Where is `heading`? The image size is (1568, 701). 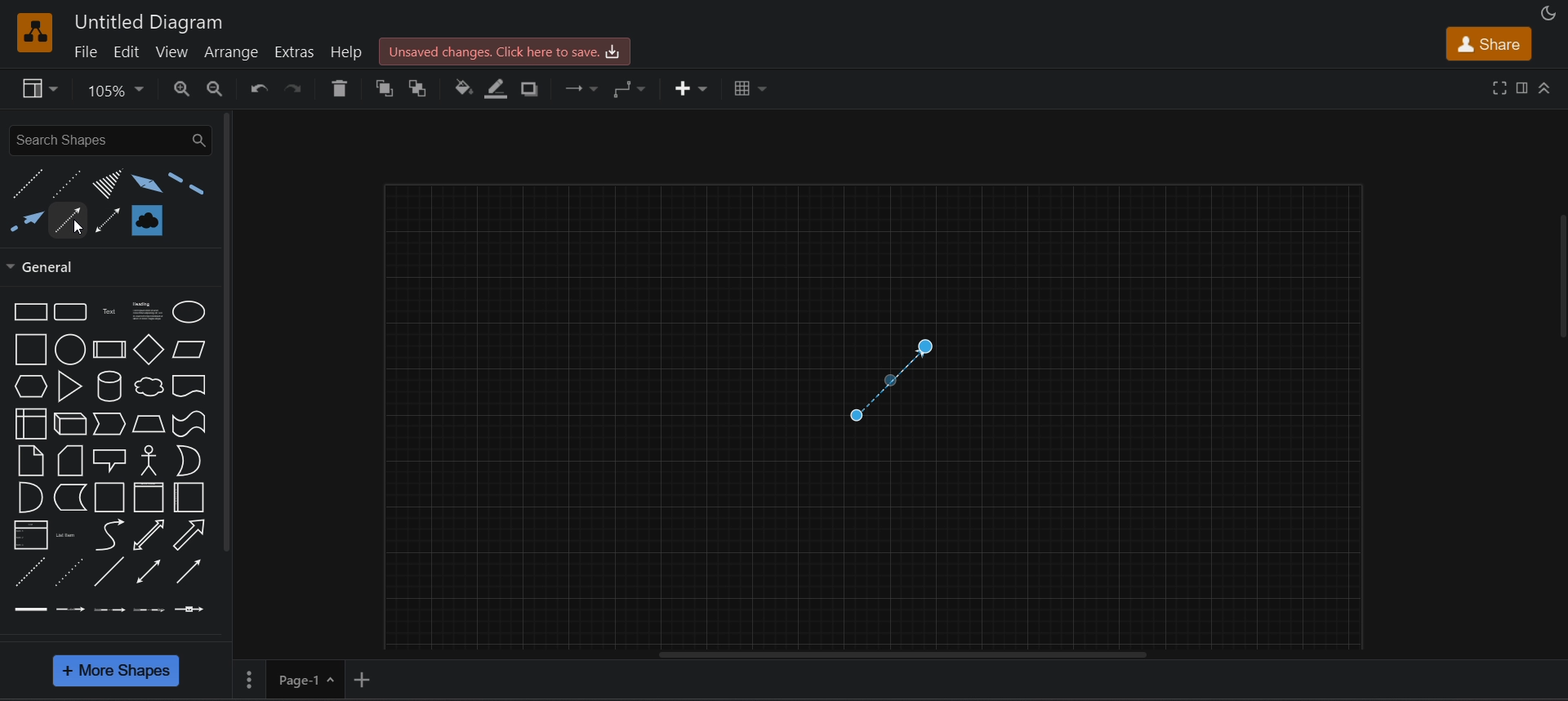
heading is located at coordinates (144, 311).